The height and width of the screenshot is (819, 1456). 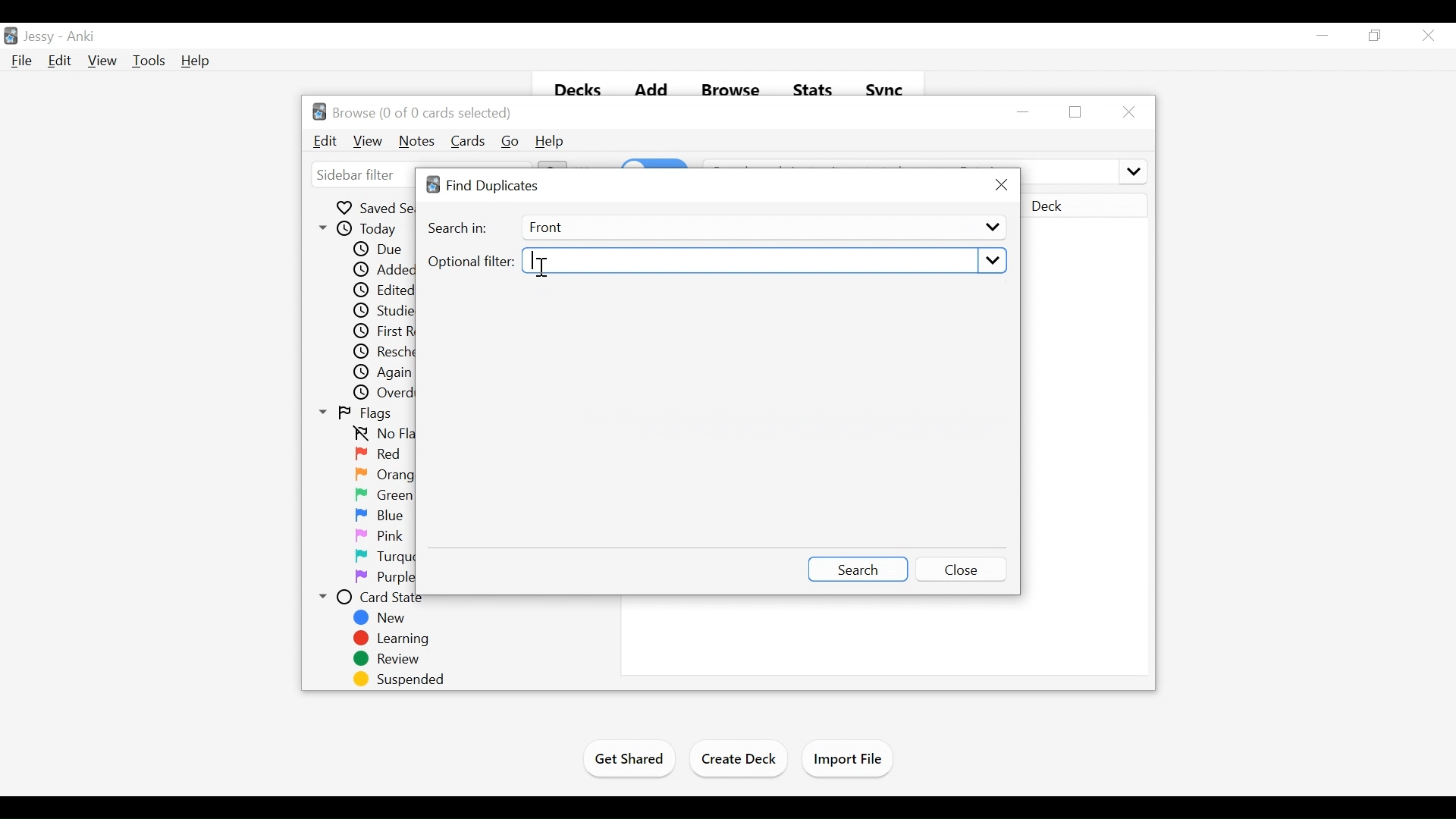 What do you see at coordinates (857, 568) in the screenshot?
I see `Search` at bounding box center [857, 568].